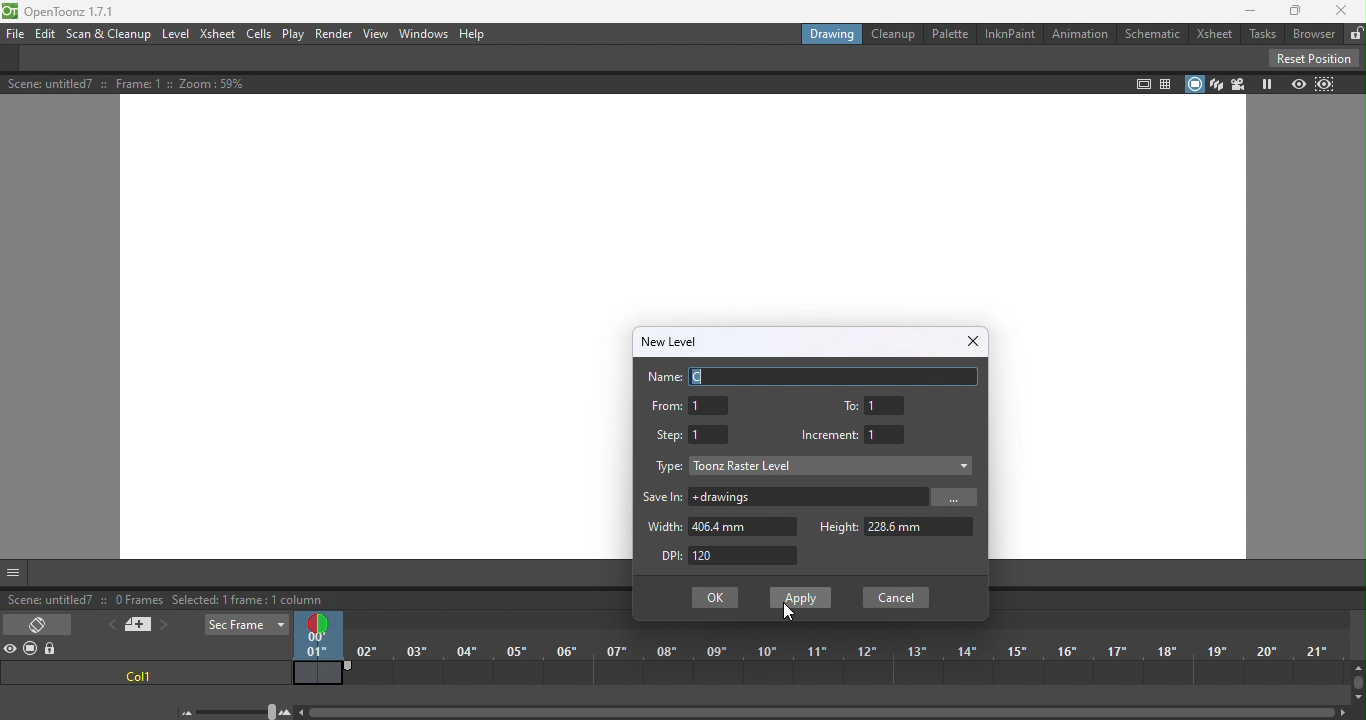 The height and width of the screenshot is (720, 1366). I want to click on Drawing, so click(835, 34).